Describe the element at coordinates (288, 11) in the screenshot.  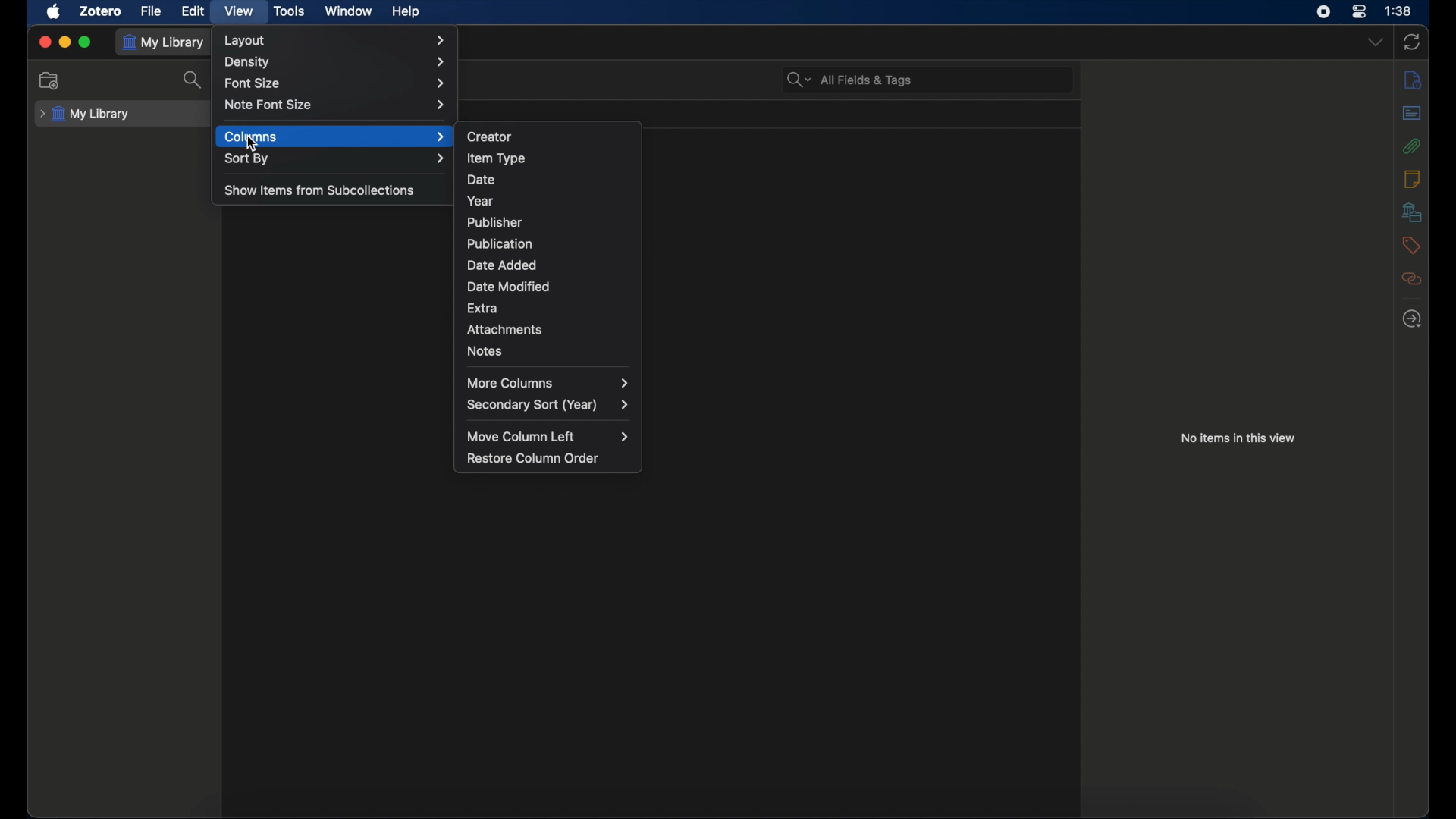
I see `tools` at that location.